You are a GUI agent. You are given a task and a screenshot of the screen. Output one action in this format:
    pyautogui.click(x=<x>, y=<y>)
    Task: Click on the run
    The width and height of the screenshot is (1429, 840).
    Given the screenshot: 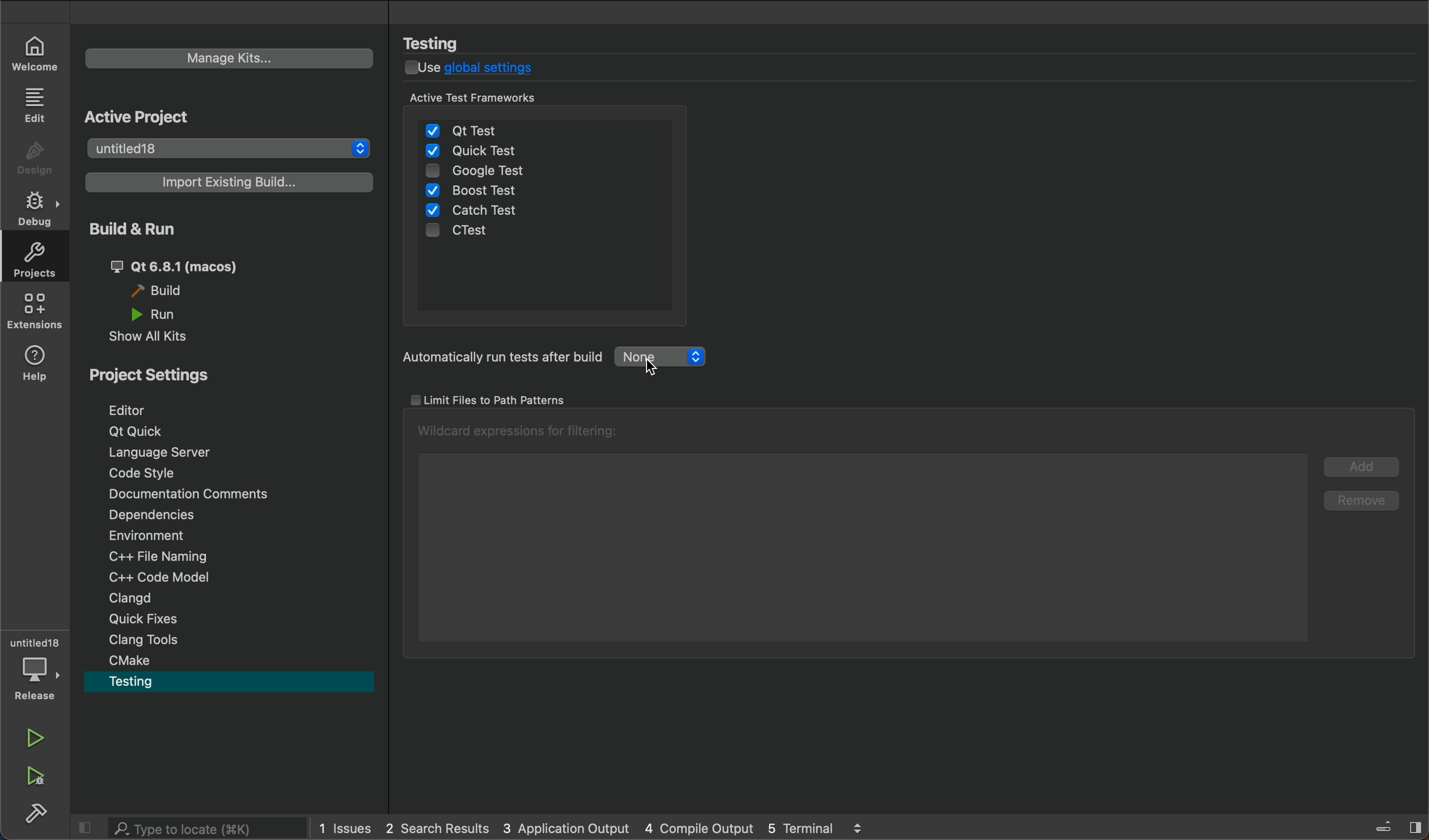 What is the action you would take?
    pyautogui.click(x=158, y=314)
    